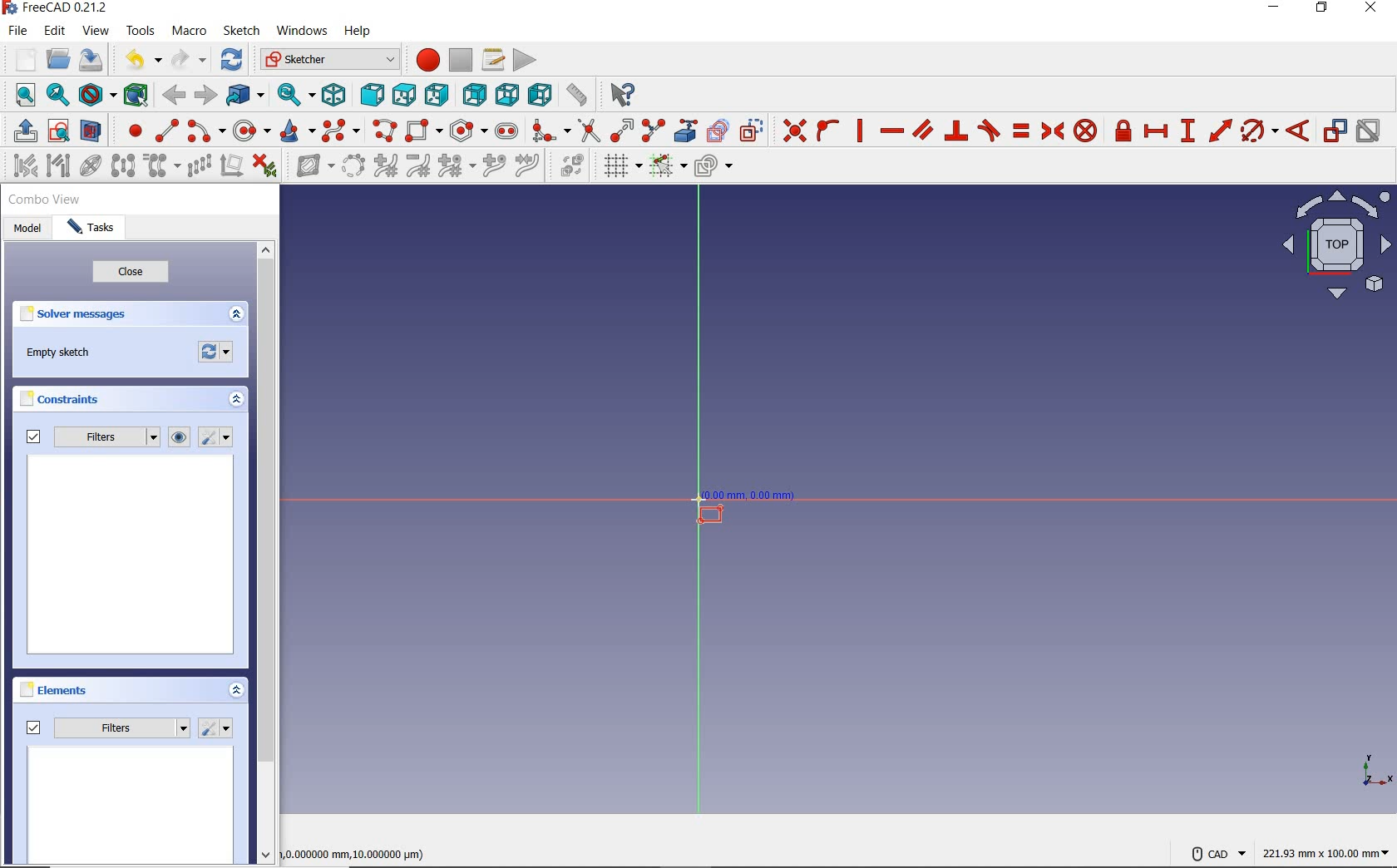 Image resolution: width=1397 pixels, height=868 pixels. I want to click on create fillet, so click(546, 131).